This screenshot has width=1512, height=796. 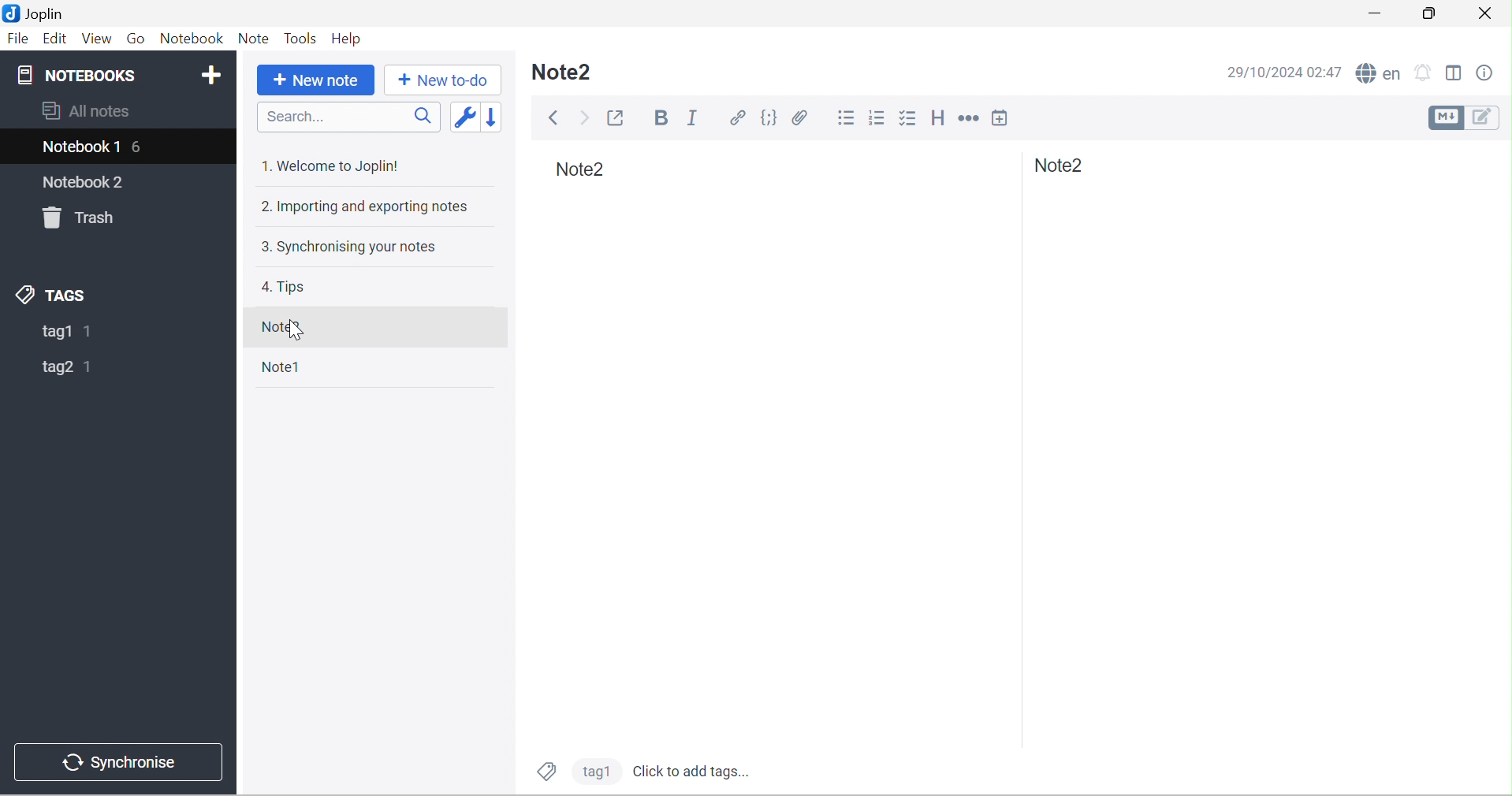 What do you see at coordinates (696, 118) in the screenshot?
I see `Italic` at bounding box center [696, 118].